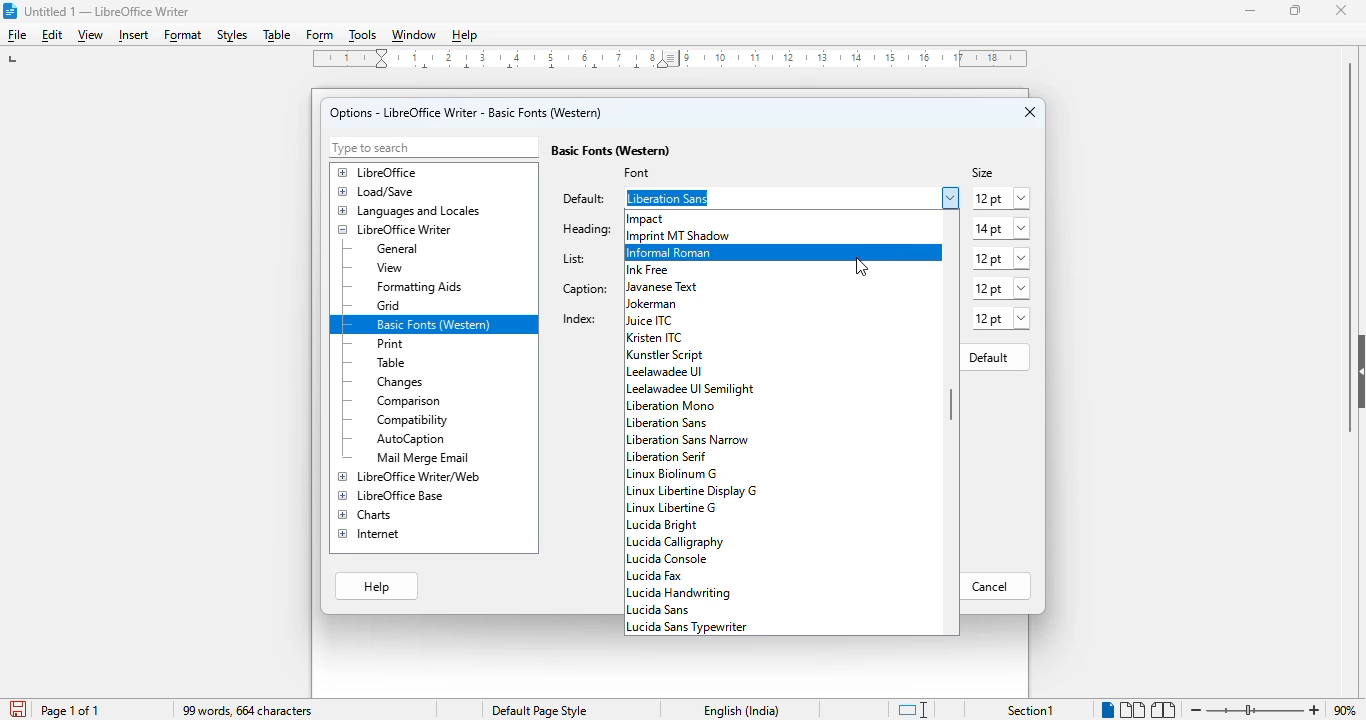  I want to click on comparison, so click(409, 403).